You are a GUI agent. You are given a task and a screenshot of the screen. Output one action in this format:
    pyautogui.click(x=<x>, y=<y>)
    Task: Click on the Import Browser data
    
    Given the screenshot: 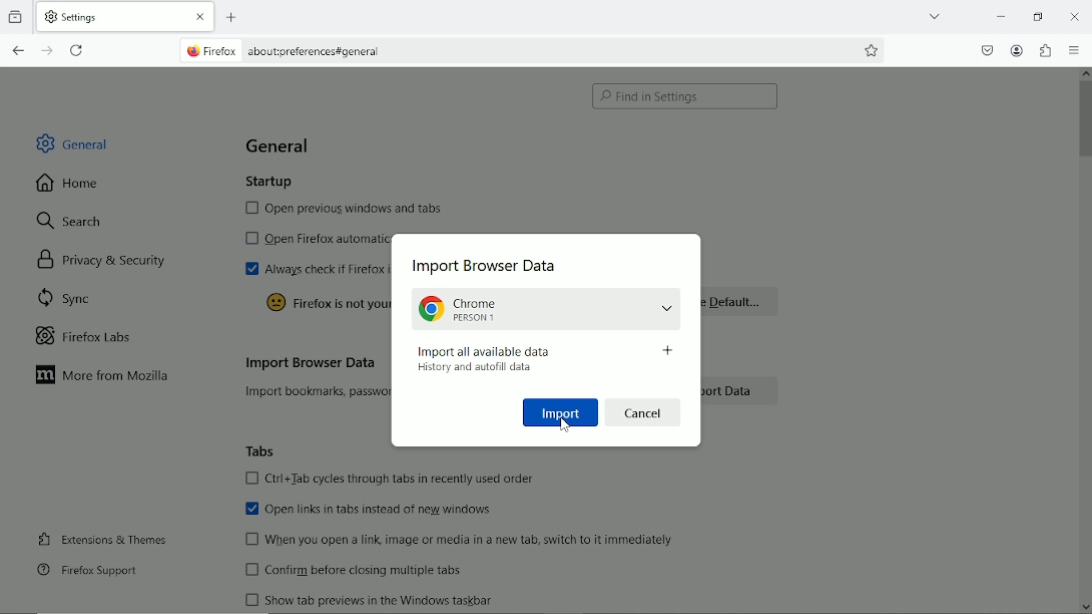 What is the action you would take?
    pyautogui.click(x=484, y=264)
    